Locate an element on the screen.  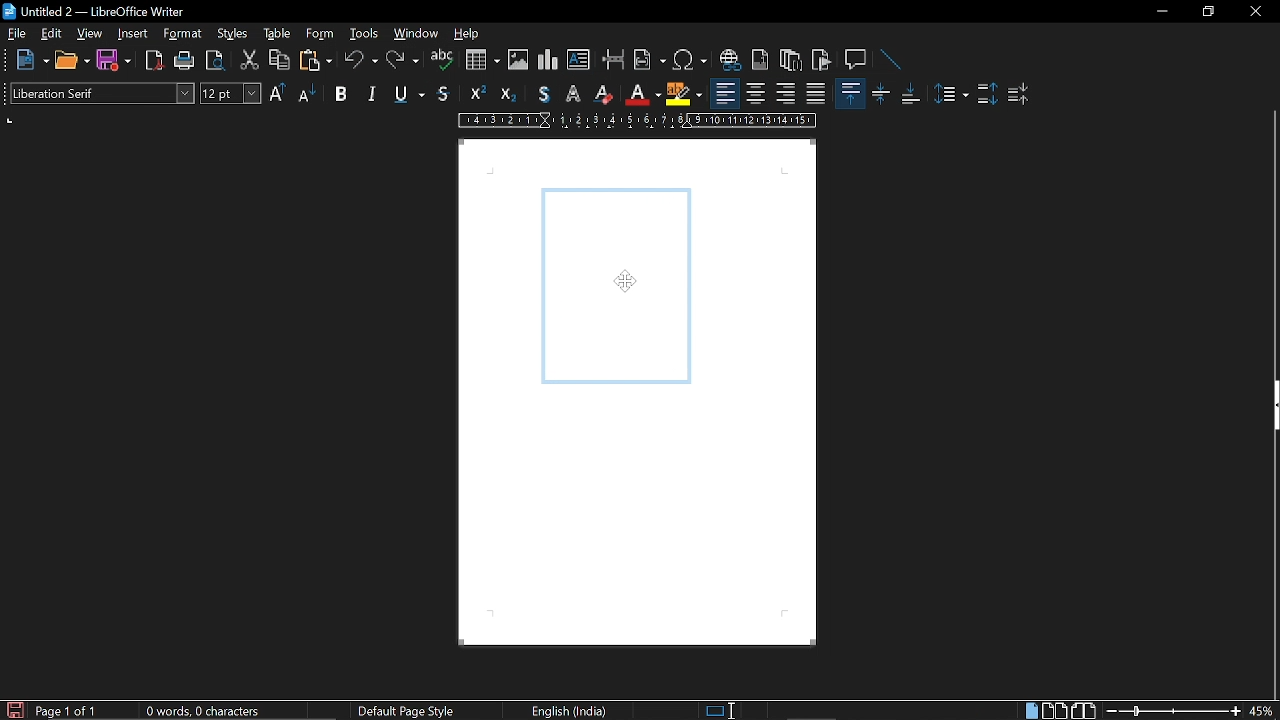
paste is located at coordinates (318, 63).